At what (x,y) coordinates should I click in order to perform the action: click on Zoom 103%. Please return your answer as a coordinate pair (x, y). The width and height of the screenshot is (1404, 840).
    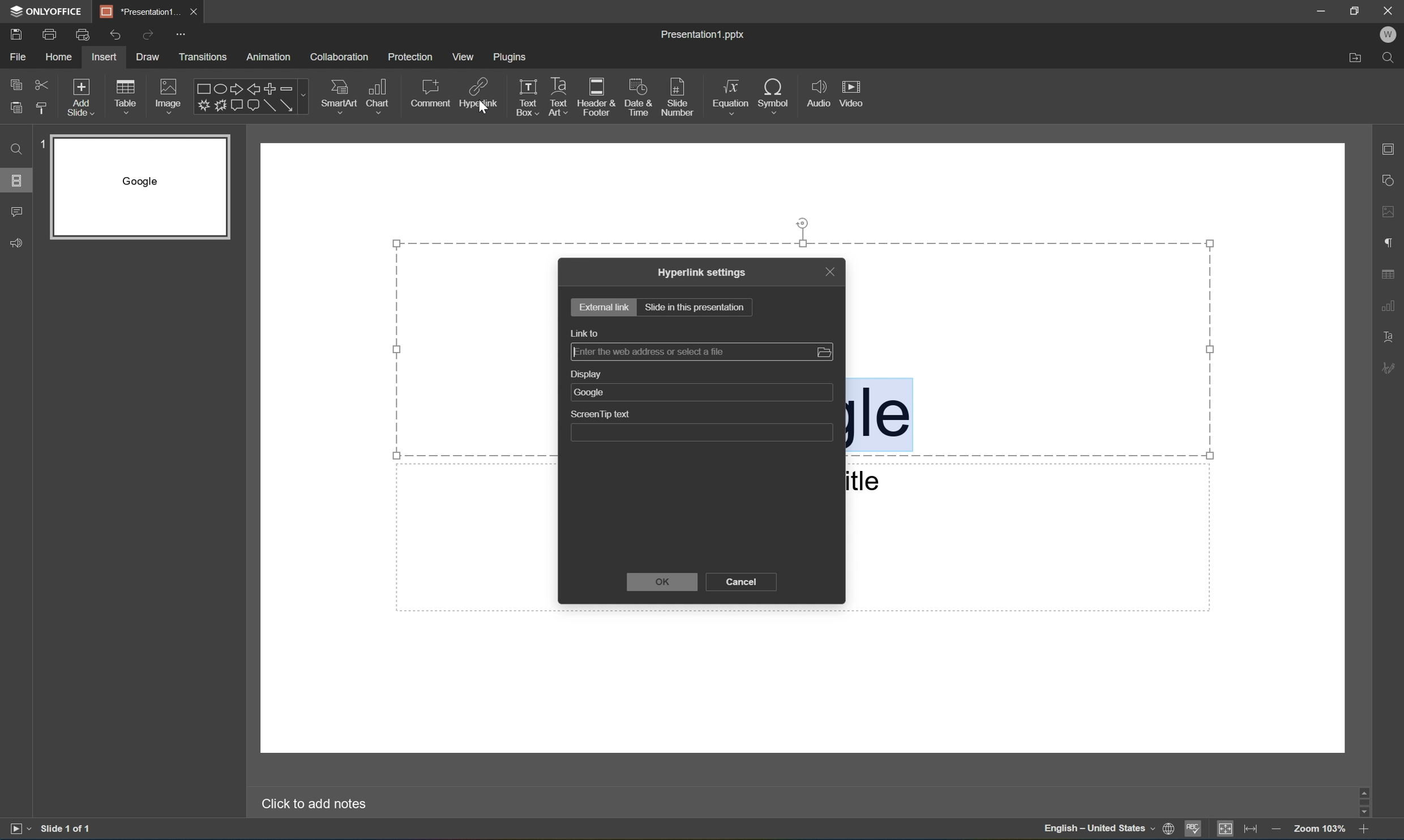
    Looking at the image, I should click on (1321, 828).